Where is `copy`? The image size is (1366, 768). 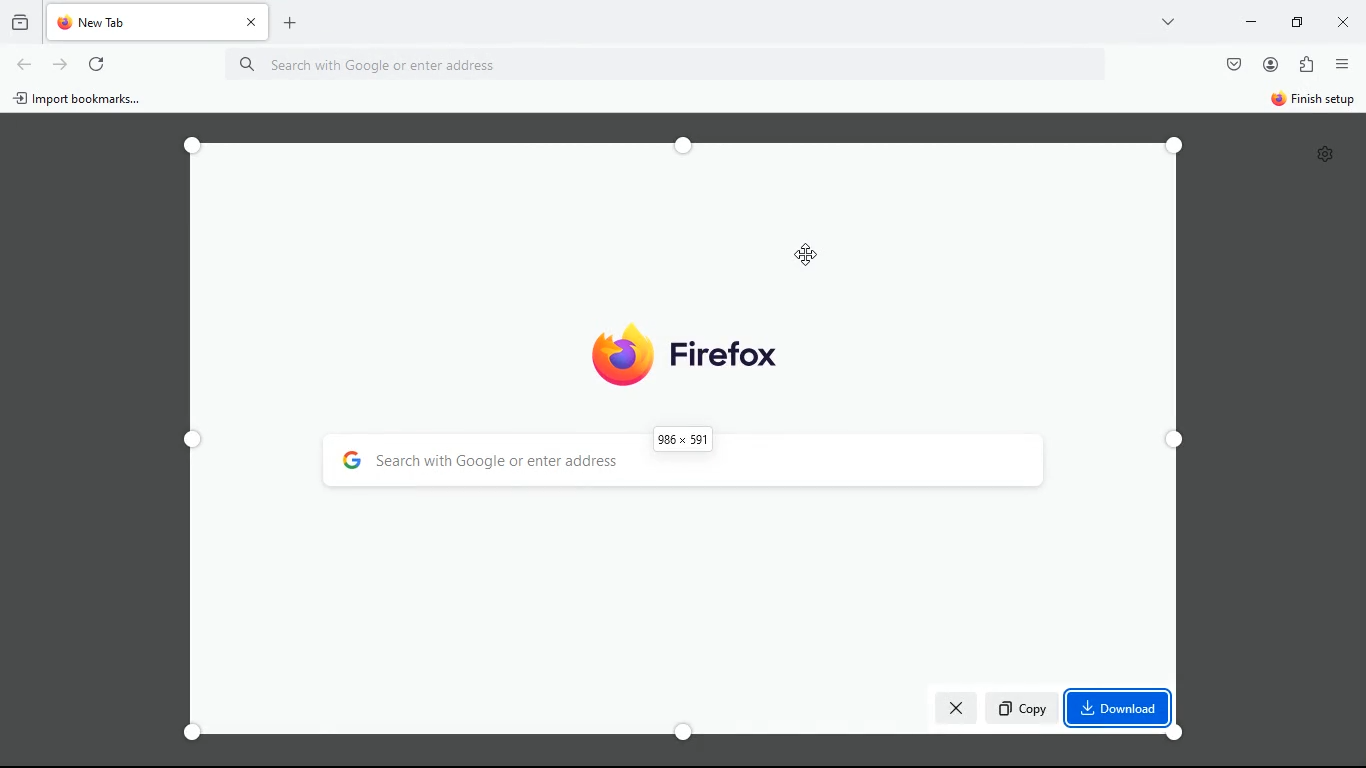
copy is located at coordinates (1023, 710).